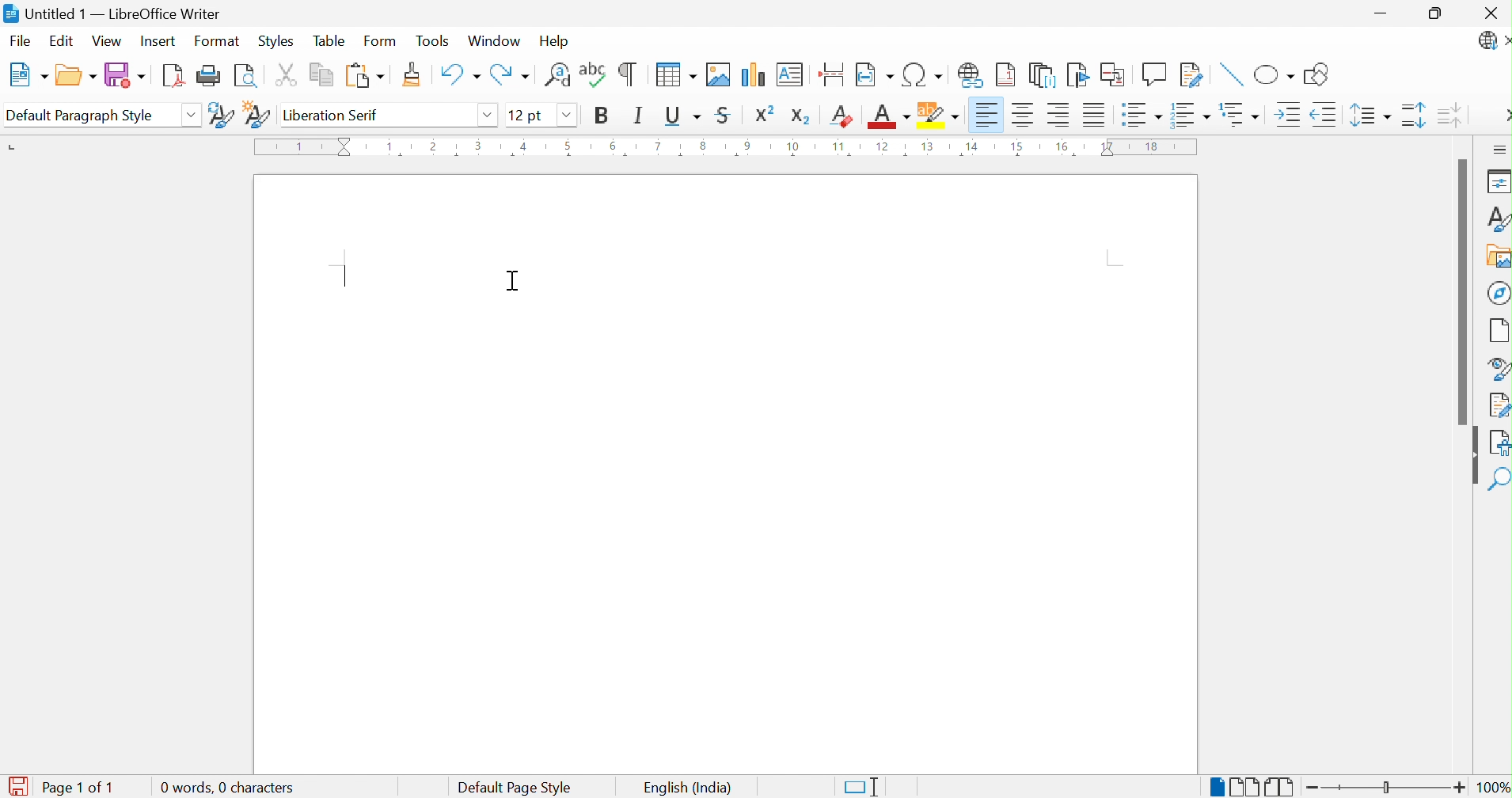 The height and width of the screenshot is (798, 1512). I want to click on New Style from Selection, so click(256, 113).